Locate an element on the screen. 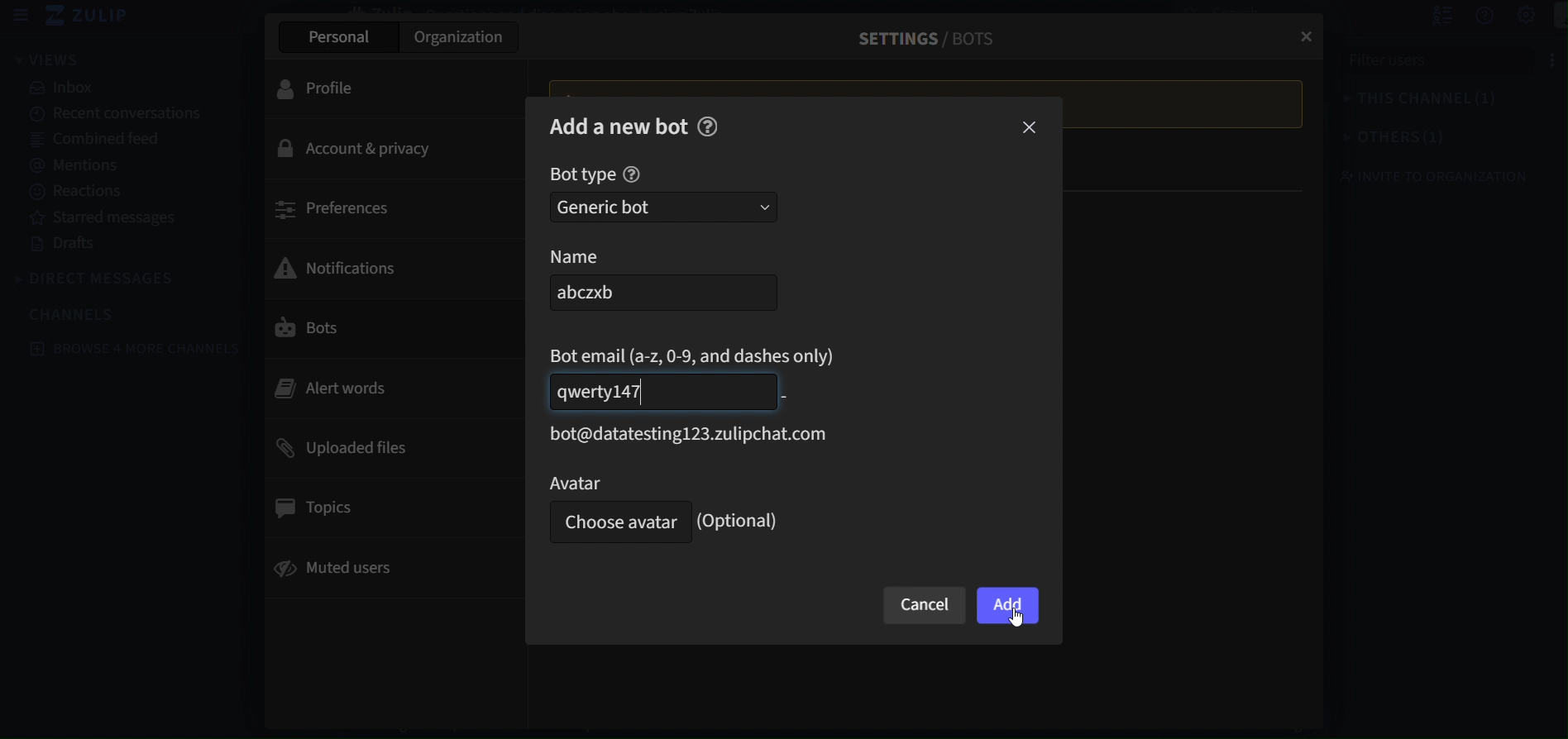 Image resolution: width=1568 pixels, height=739 pixels. view is located at coordinates (48, 59).